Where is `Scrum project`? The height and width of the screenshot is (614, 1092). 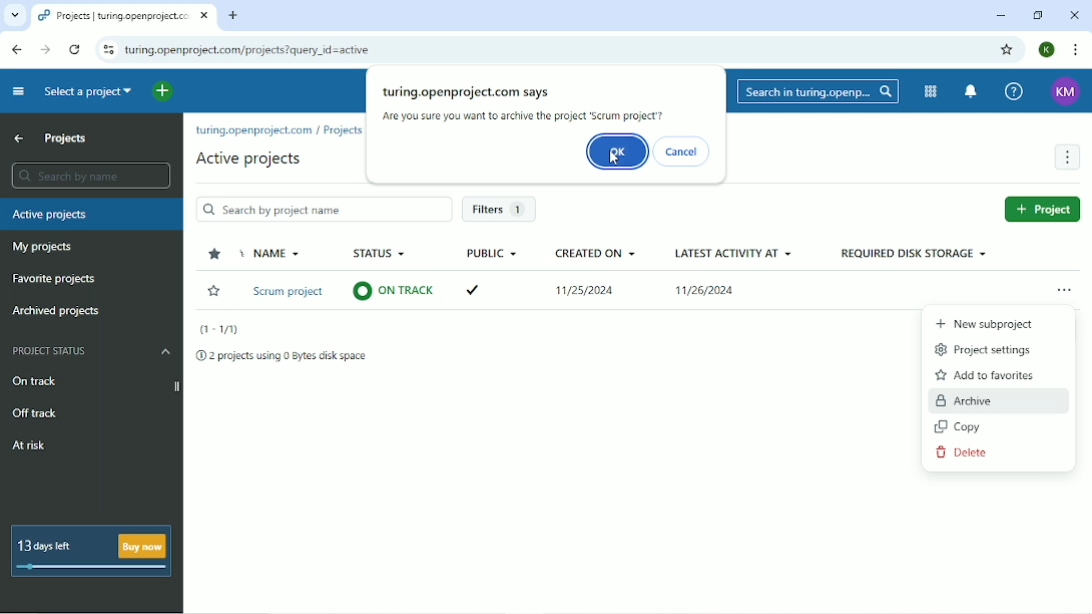
Scrum project is located at coordinates (289, 293).